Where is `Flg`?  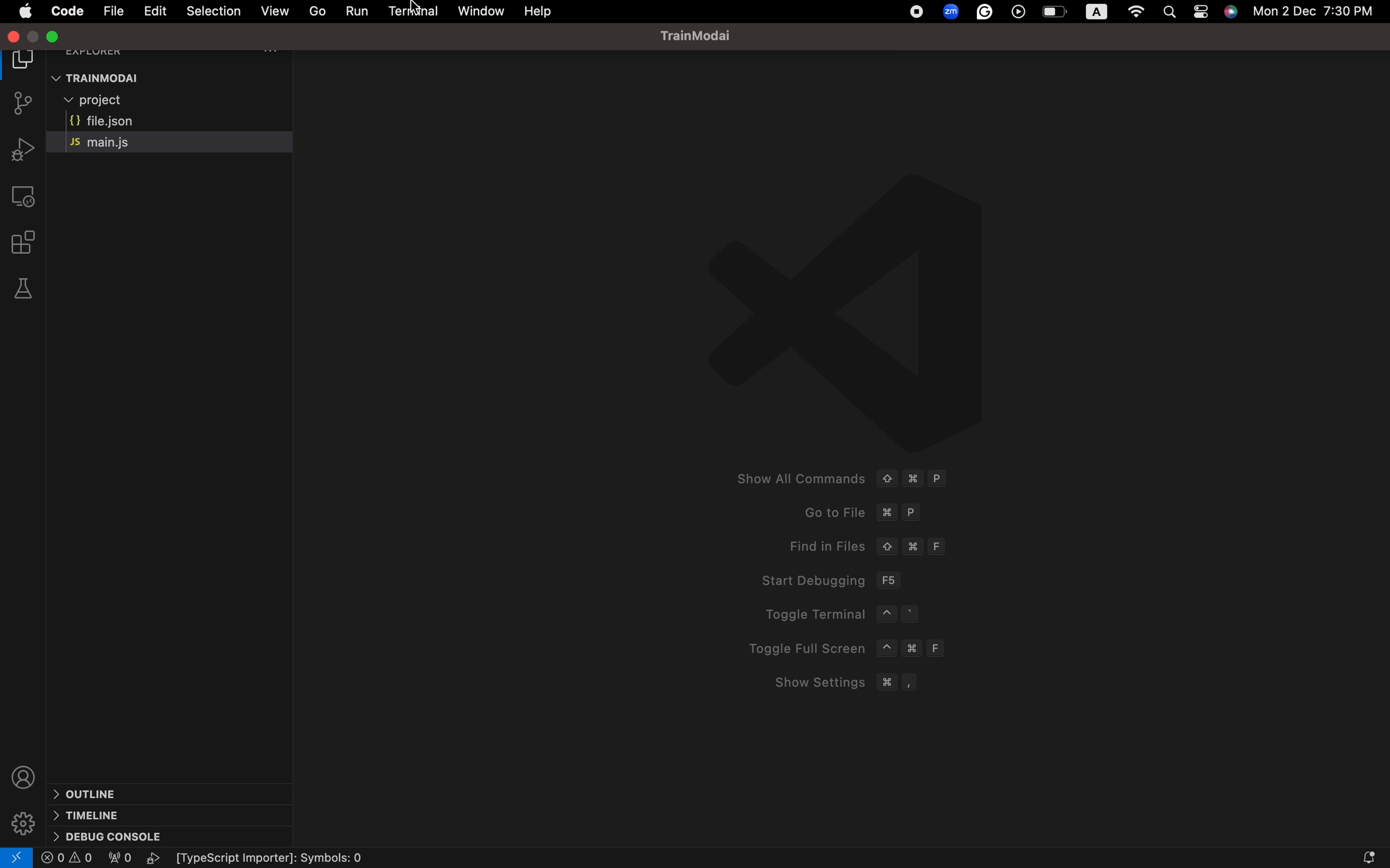 Flg is located at coordinates (118, 859).